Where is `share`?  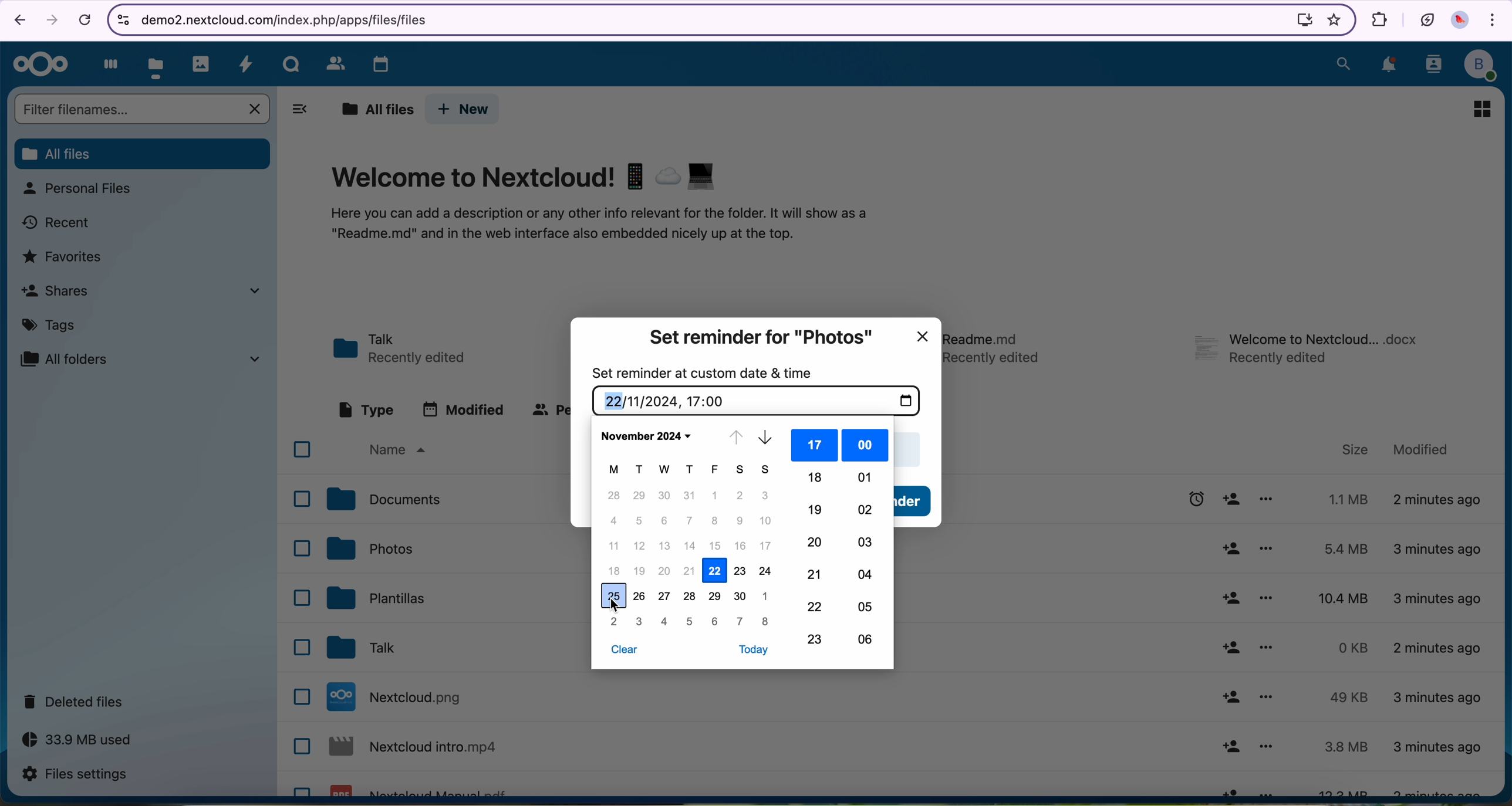
share is located at coordinates (1232, 788).